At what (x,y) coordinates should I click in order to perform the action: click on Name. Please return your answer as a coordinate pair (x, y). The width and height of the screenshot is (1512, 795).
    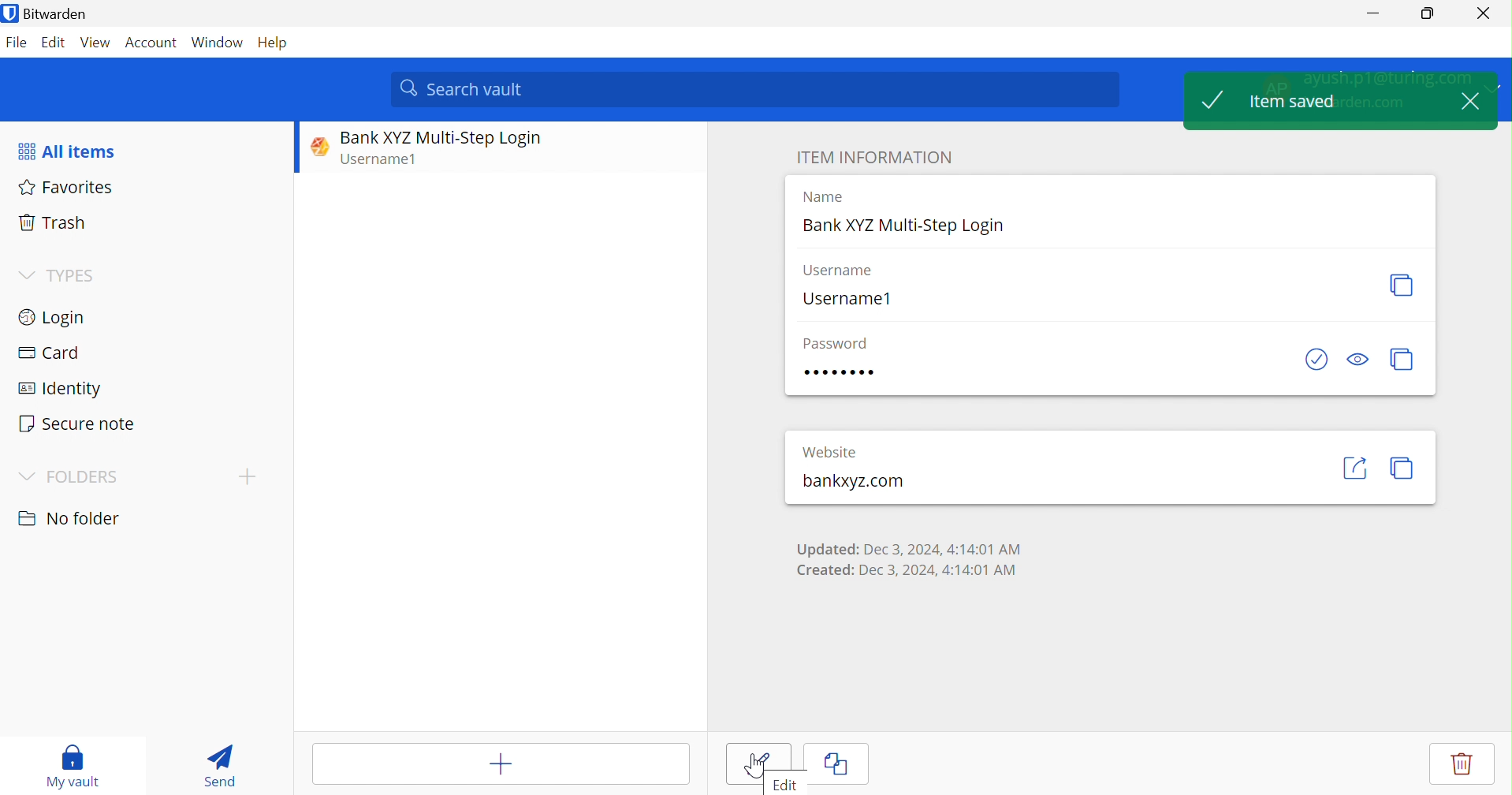
    Looking at the image, I should click on (821, 197).